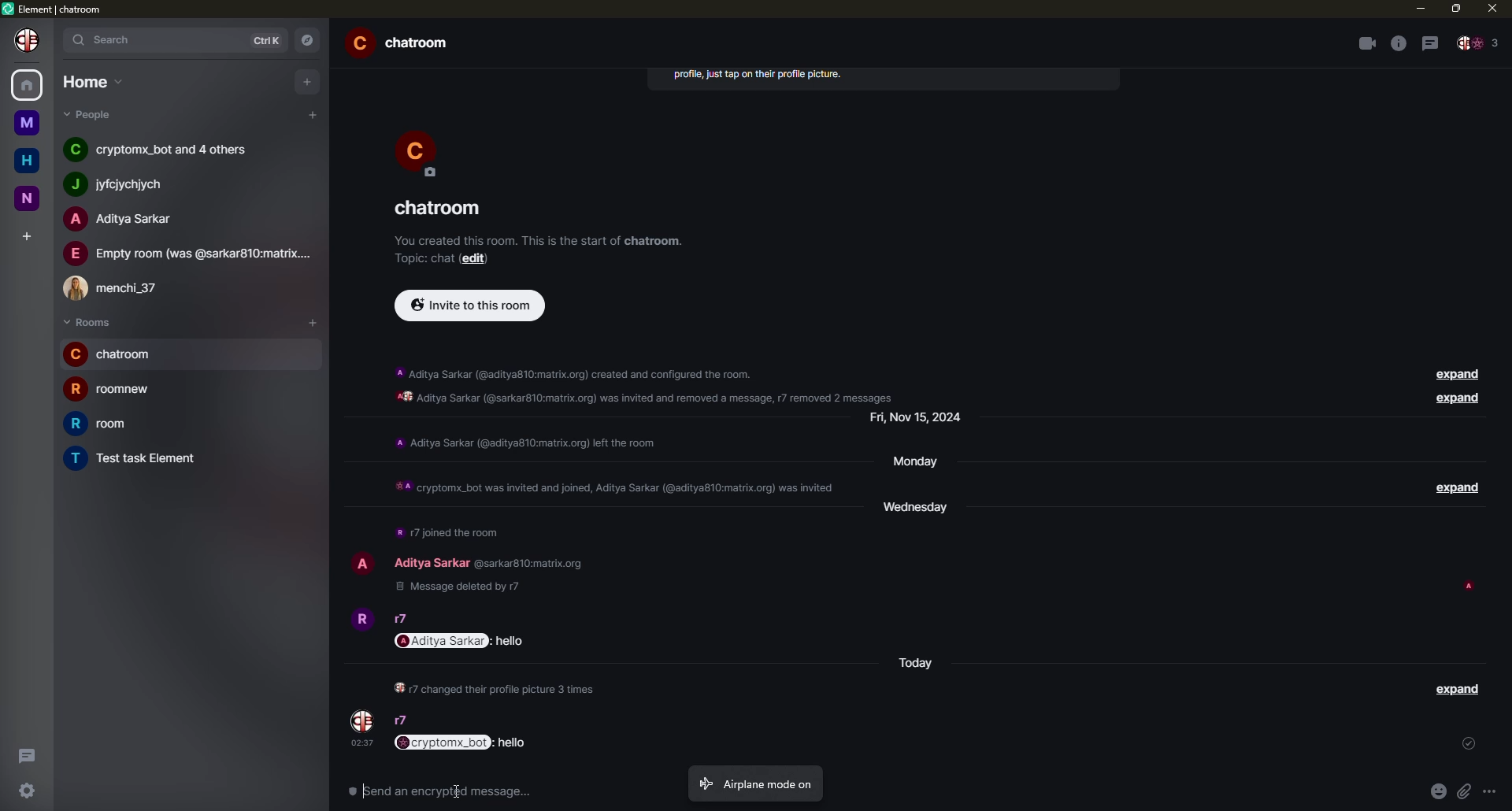 The width and height of the screenshot is (1512, 811). Describe the element at coordinates (361, 719) in the screenshot. I see `profile` at that location.